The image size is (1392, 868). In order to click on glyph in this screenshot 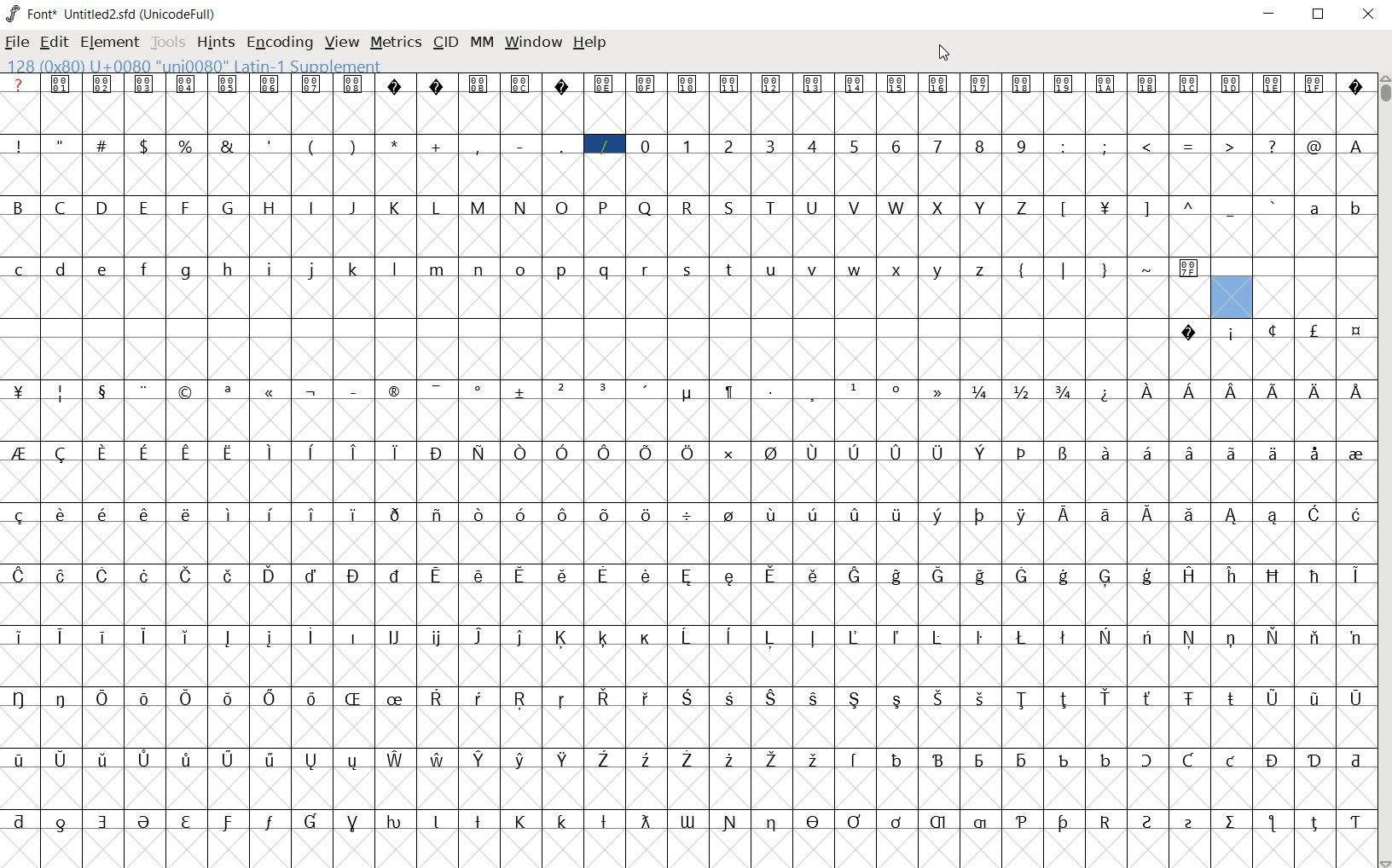, I will do `click(561, 638)`.